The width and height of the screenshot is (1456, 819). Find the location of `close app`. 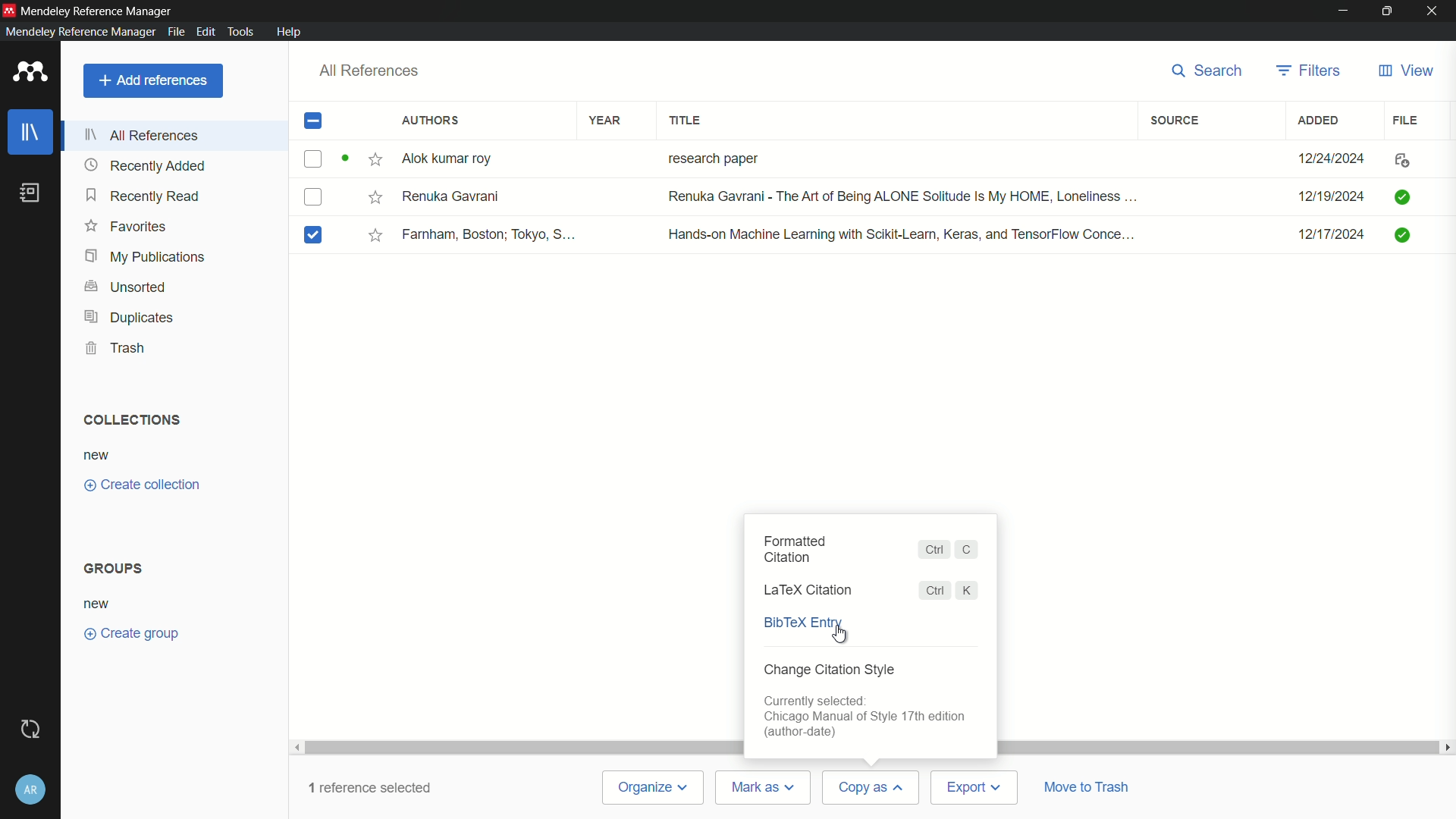

close app is located at coordinates (1433, 10).